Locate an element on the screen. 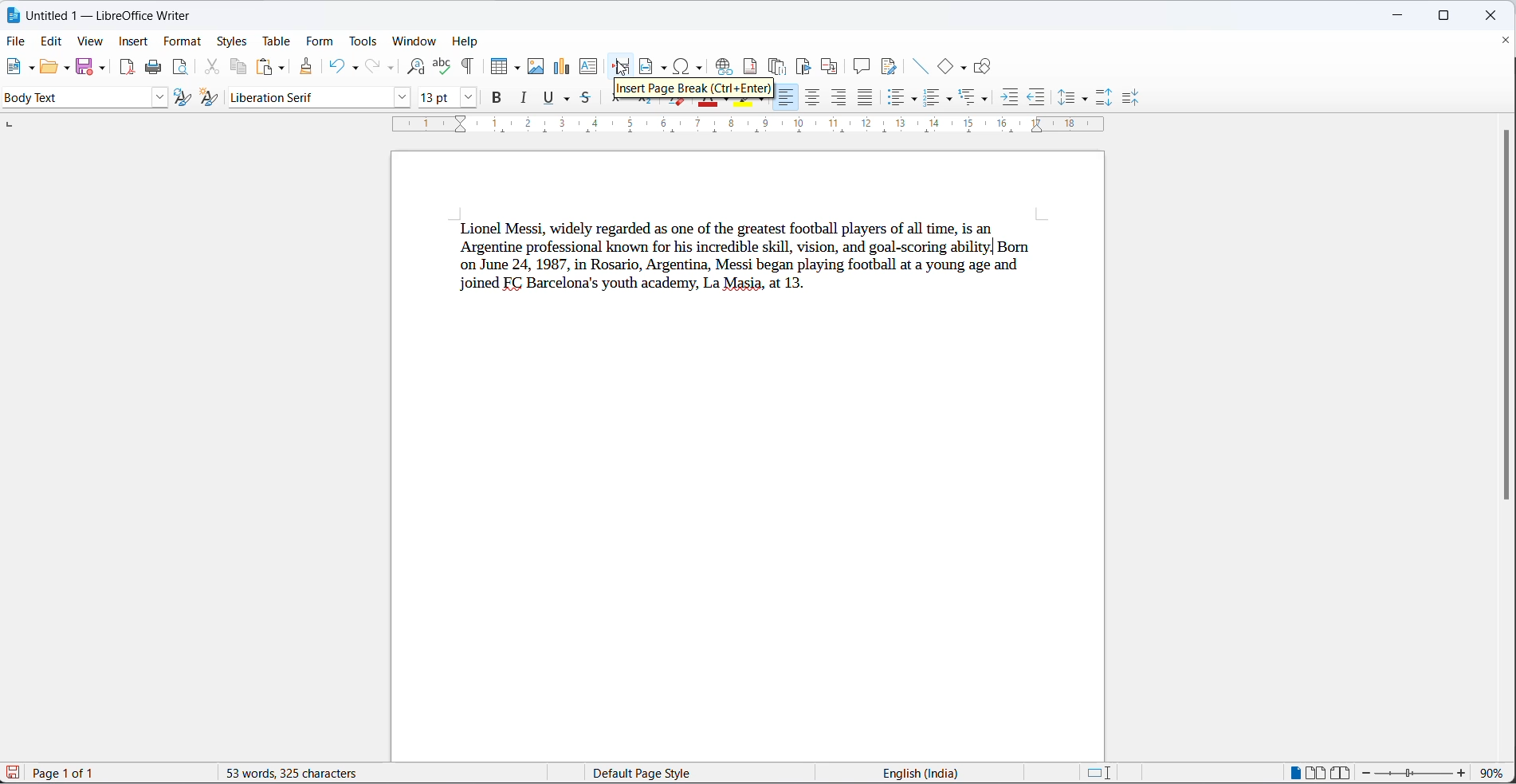 The height and width of the screenshot is (784, 1516). insert hyperlink is located at coordinates (690, 67).